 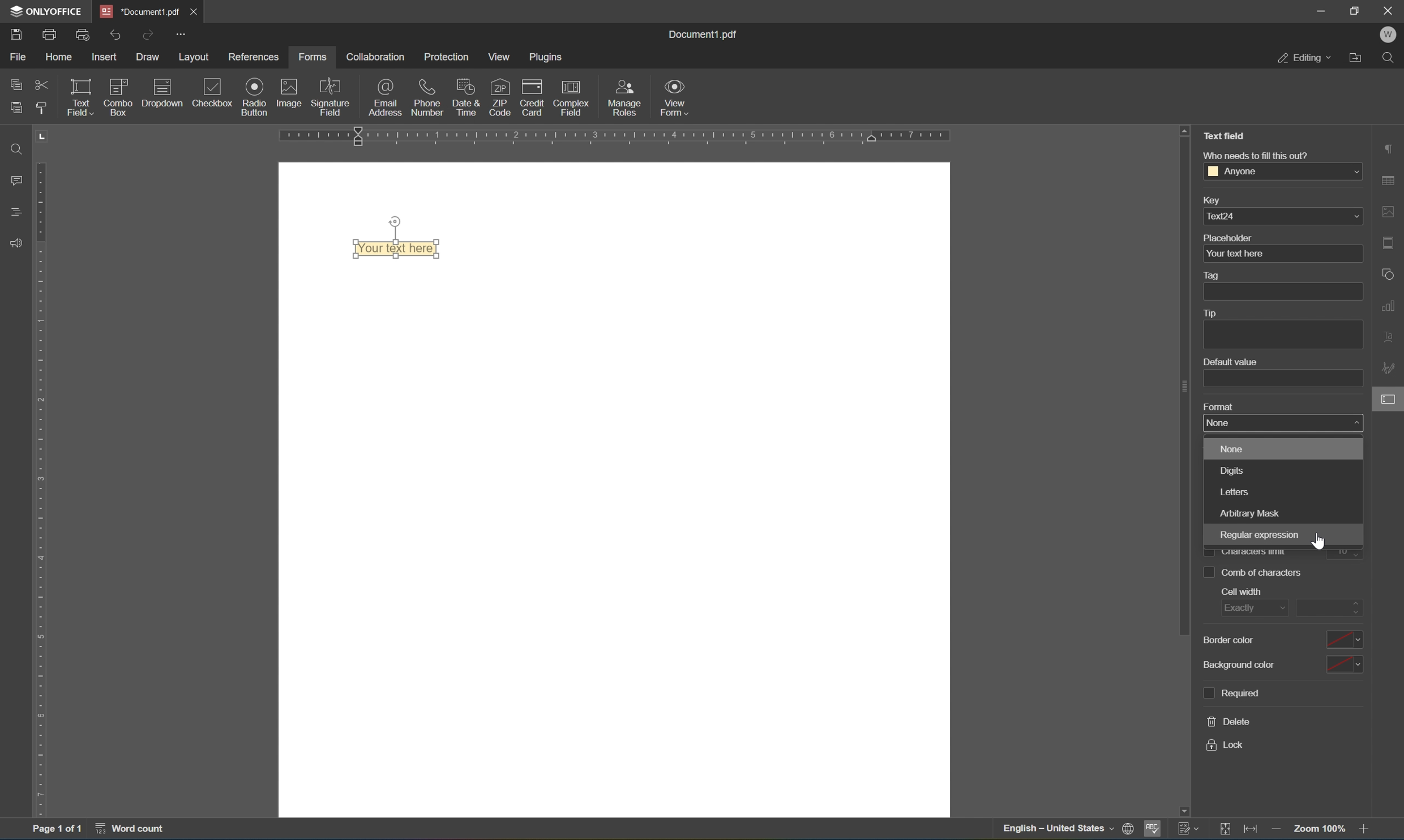 What do you see at coordinates (1239, 667) in the screenshot?
I see `background color` at bounding box center [1239, 667].